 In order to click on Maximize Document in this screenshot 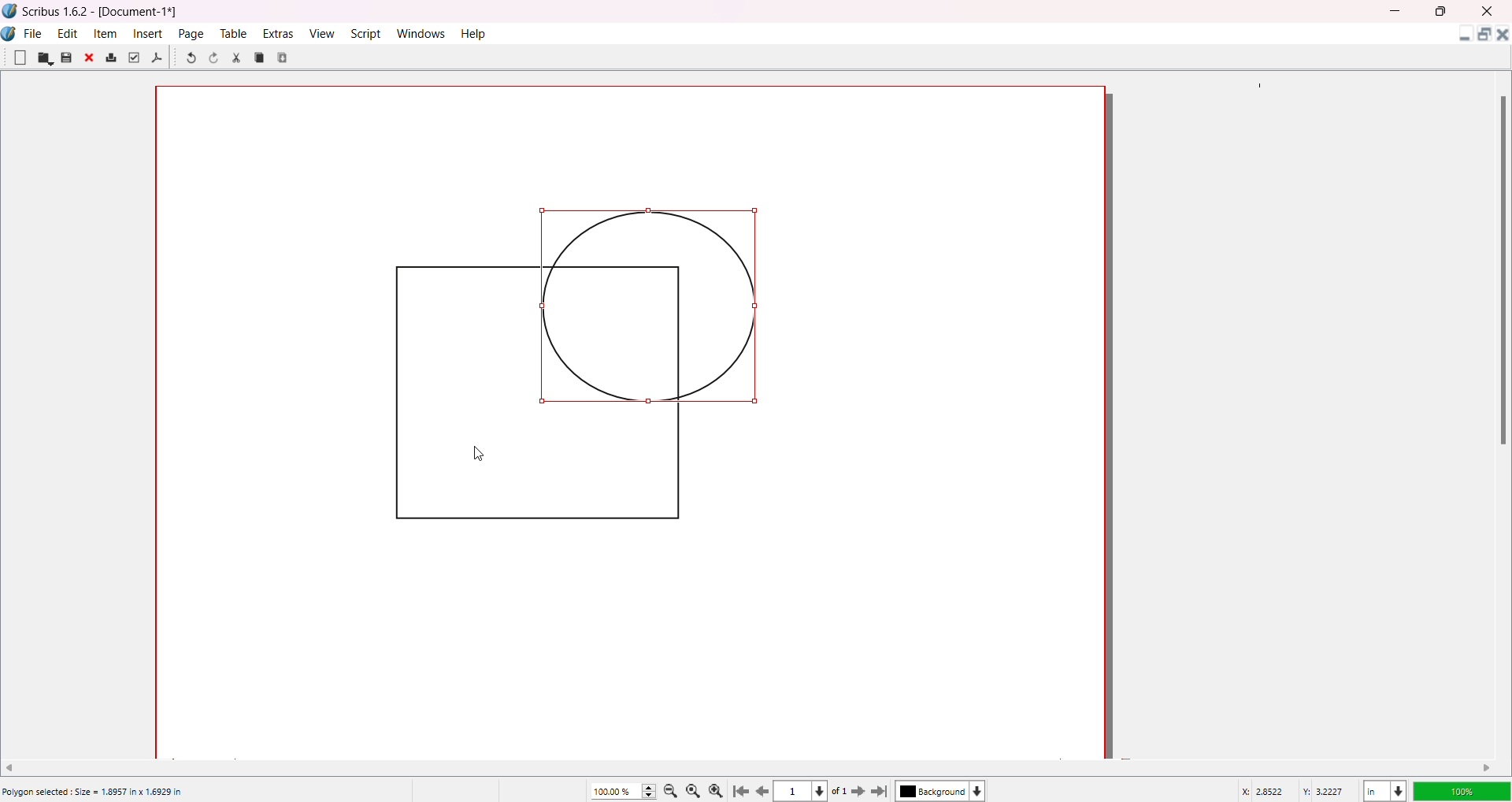, I will do `click(1483, 37)`.